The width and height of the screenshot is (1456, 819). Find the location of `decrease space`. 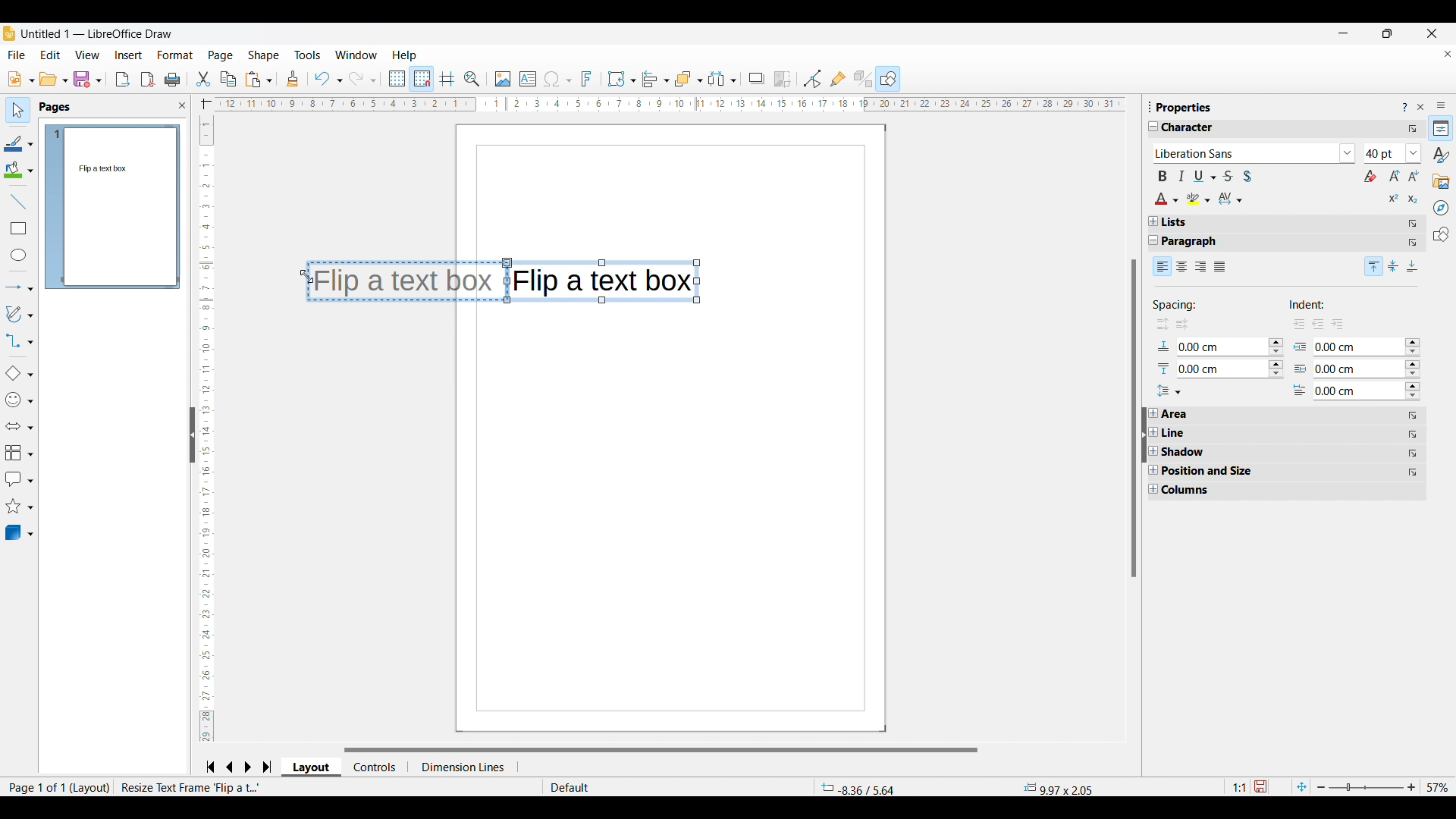

decrease space is located at coordinates (1184, 325).